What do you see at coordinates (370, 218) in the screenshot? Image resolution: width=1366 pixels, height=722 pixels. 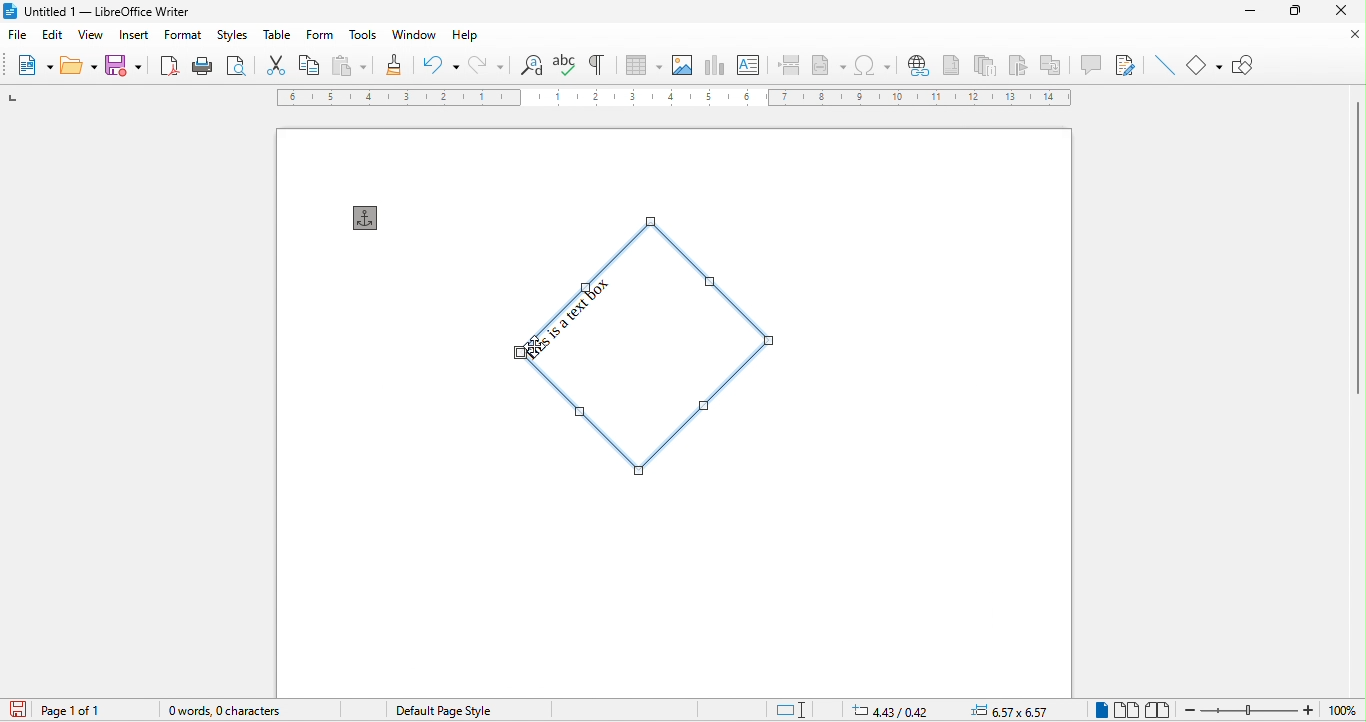 I see `anchor` at bounding box center [370, 218].